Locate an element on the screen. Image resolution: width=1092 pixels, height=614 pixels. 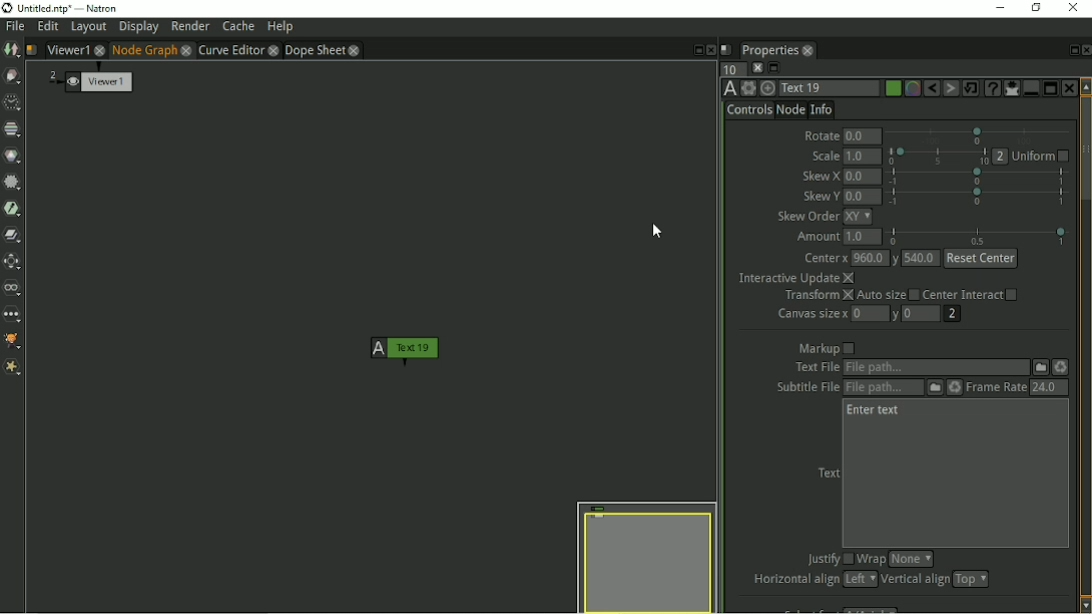
0.0 is located at coordinates (862, 135).